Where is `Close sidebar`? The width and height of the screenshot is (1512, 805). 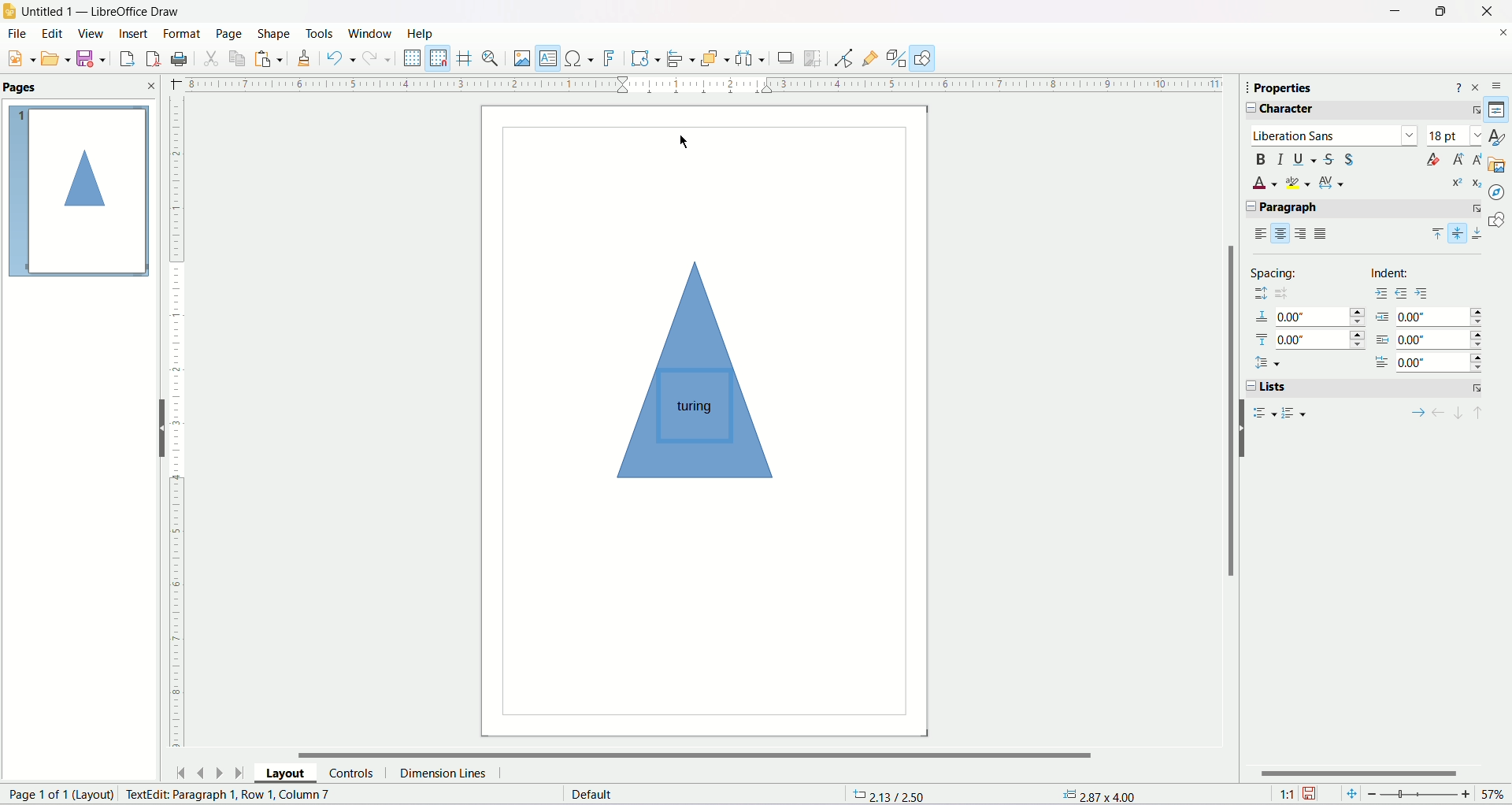 Close sidebar is located at coordinates (1480, 86).